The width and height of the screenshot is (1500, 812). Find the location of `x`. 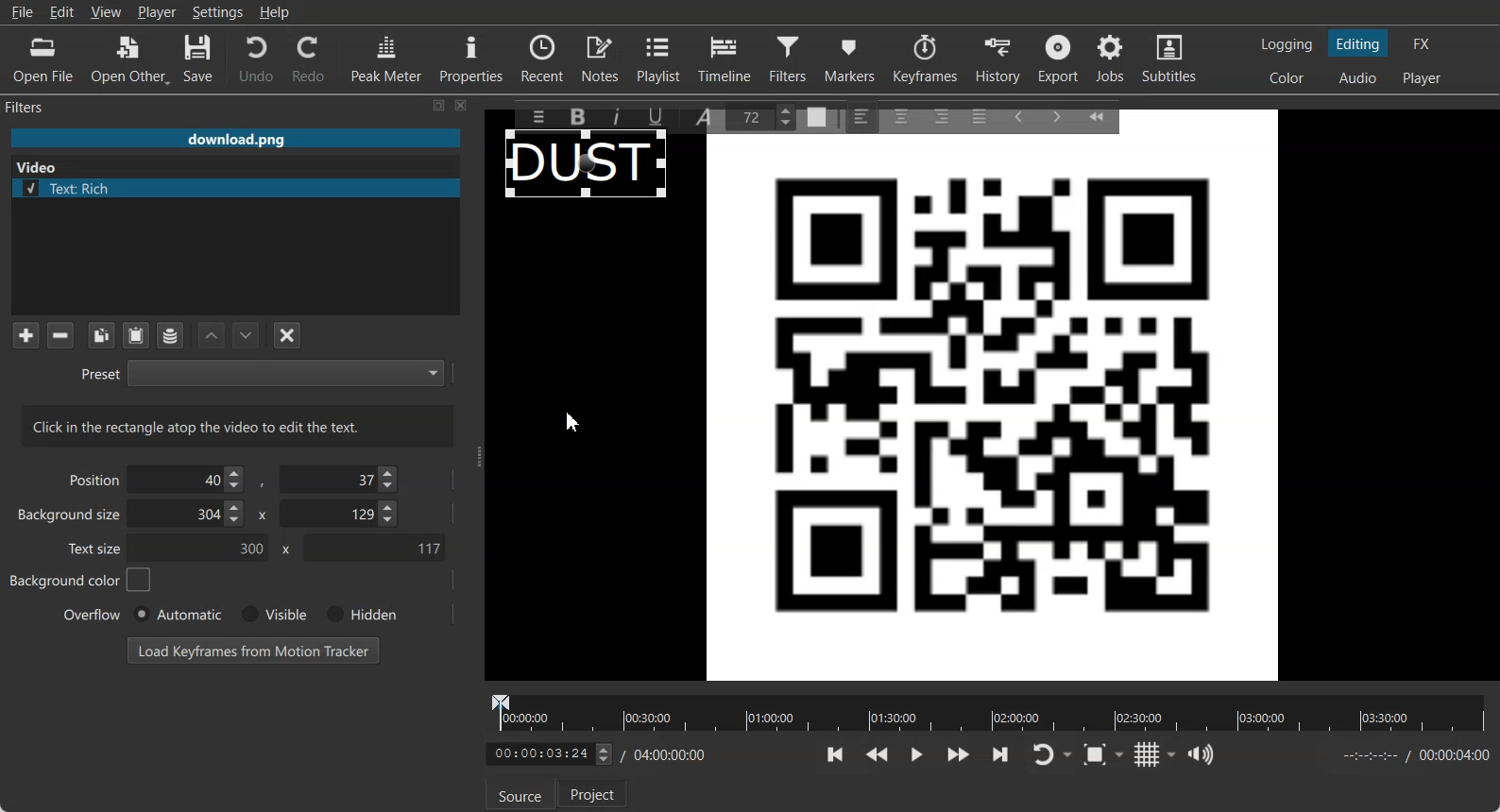

x is located at coordinates (282, 550).